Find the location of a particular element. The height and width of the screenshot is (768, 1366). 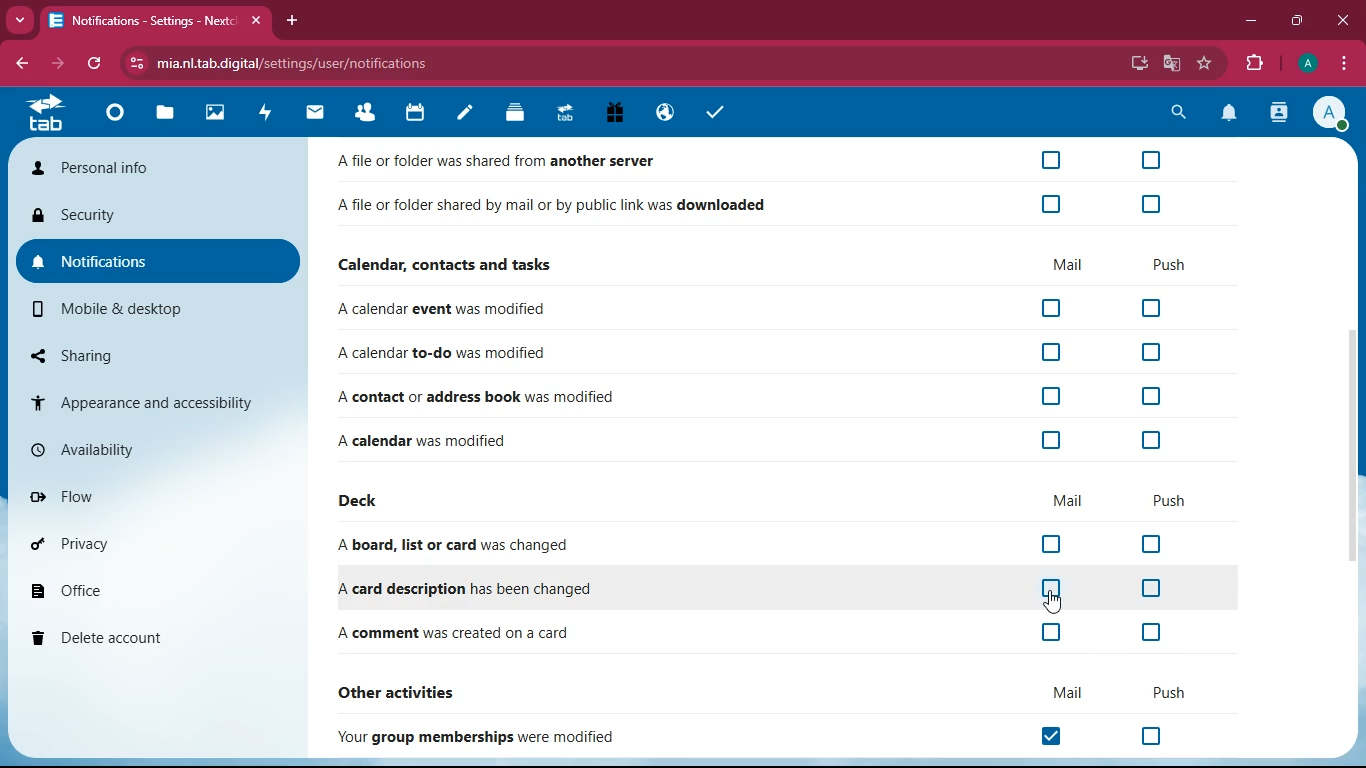

off is located at coordinates (1153, 201).